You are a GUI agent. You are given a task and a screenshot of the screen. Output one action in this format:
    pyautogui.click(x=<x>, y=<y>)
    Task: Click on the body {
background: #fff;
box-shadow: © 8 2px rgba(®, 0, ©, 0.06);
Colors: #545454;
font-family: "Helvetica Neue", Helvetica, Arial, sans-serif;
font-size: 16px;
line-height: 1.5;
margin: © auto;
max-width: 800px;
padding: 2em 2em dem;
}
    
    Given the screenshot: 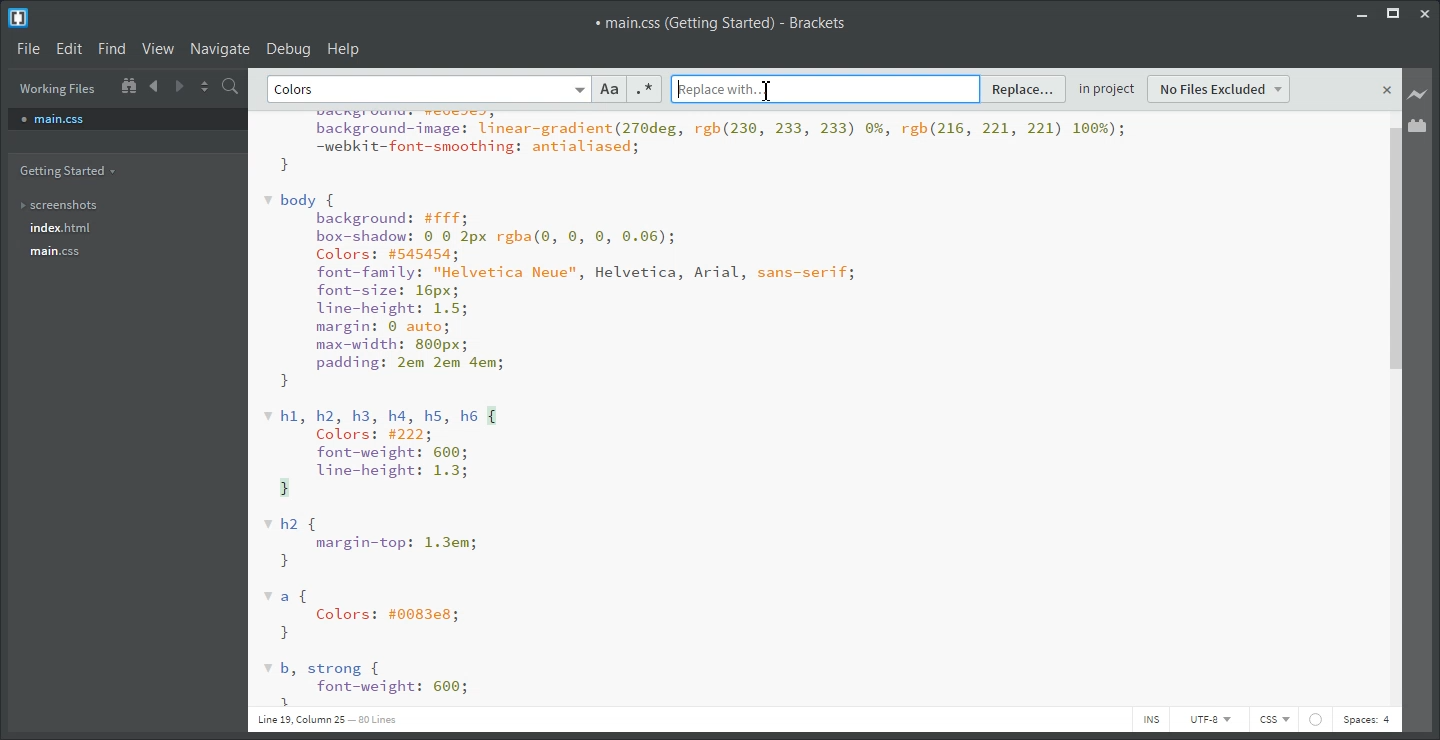 What is the action you would take?
    pyautogui.click(x=561, y=291)
    